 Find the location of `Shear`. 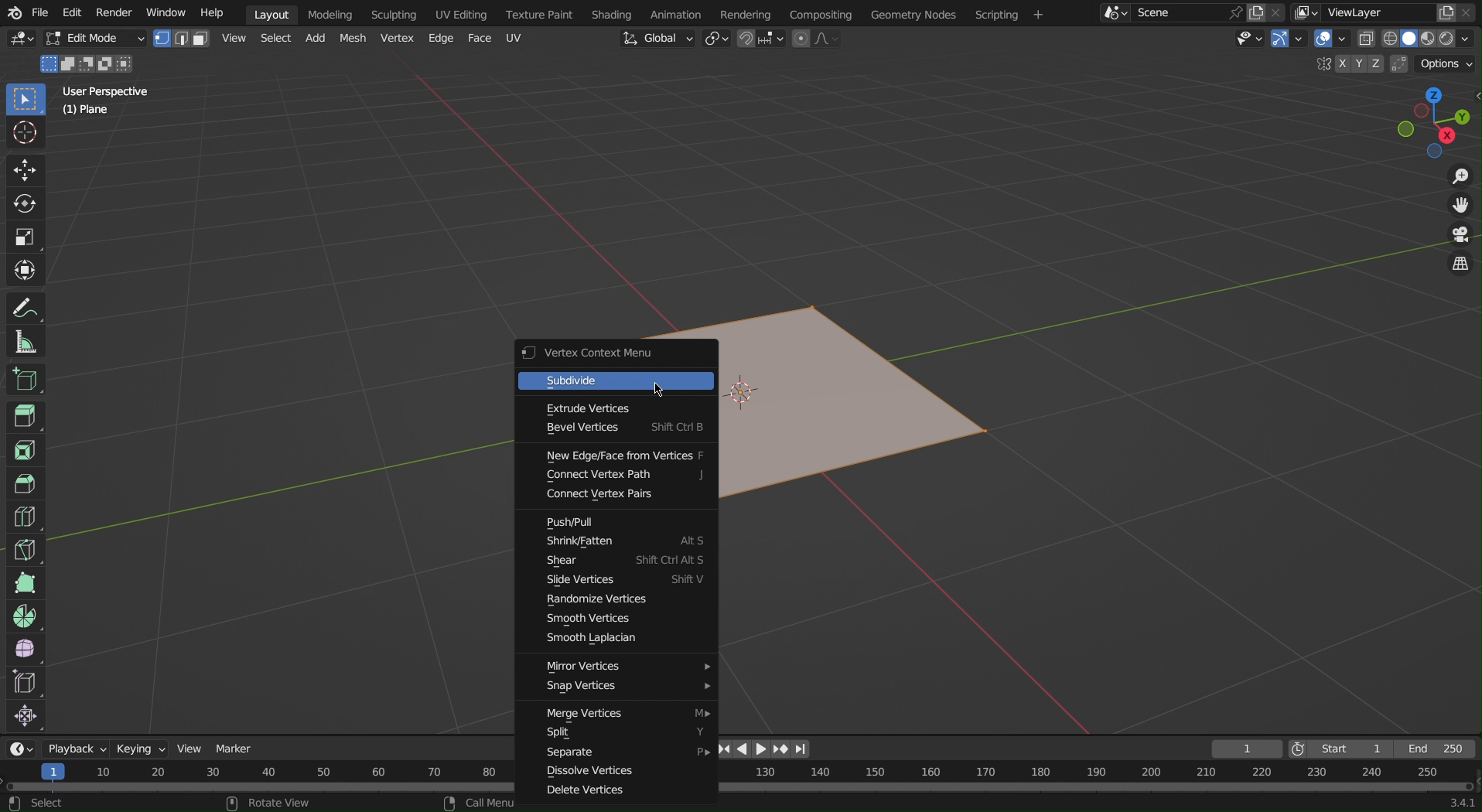

Shear is located at coordinates (626, 561).